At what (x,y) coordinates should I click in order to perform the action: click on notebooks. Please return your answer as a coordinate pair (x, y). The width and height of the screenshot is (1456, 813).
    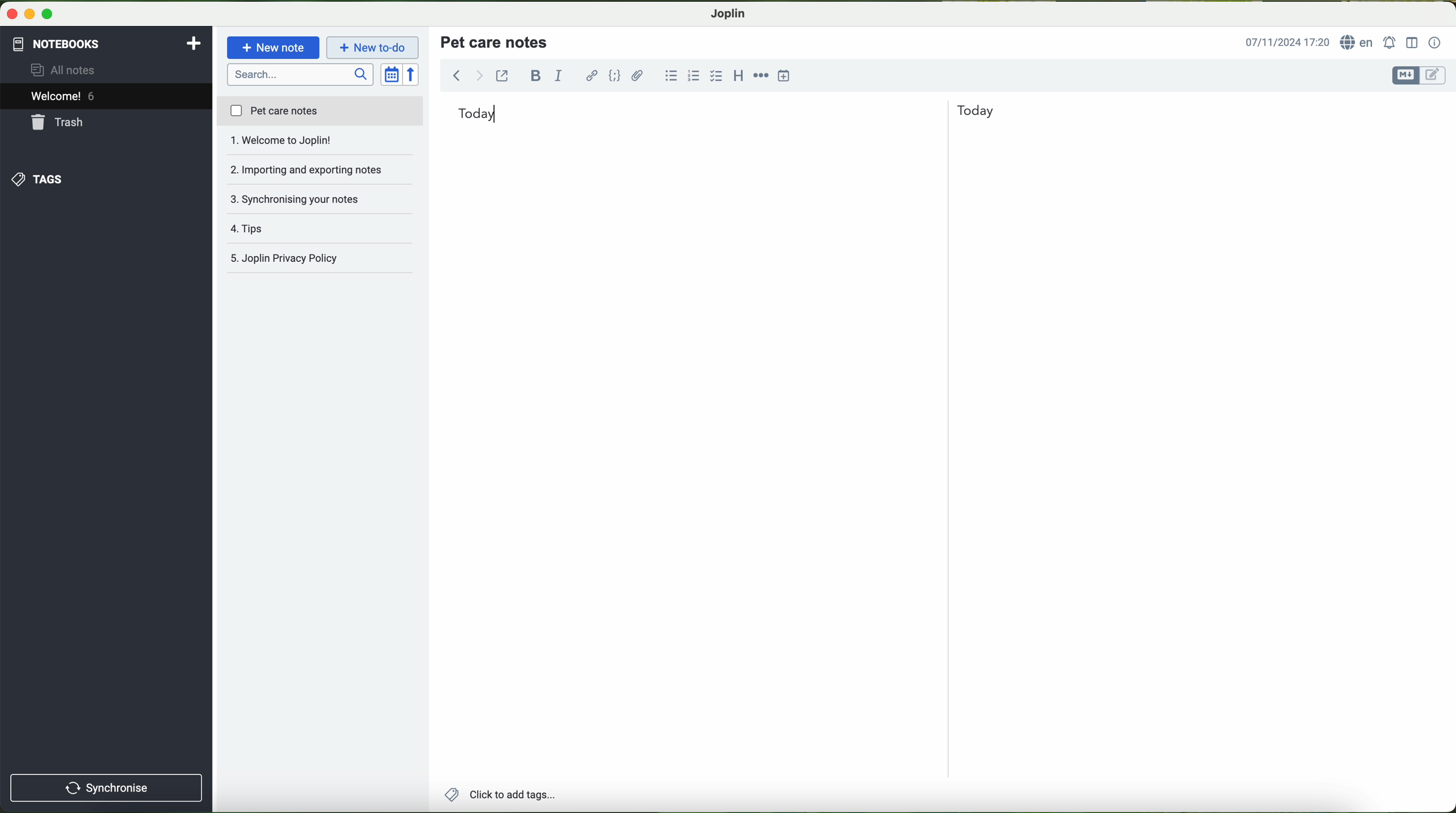
    Looking at the image, I should click on (55, 42).